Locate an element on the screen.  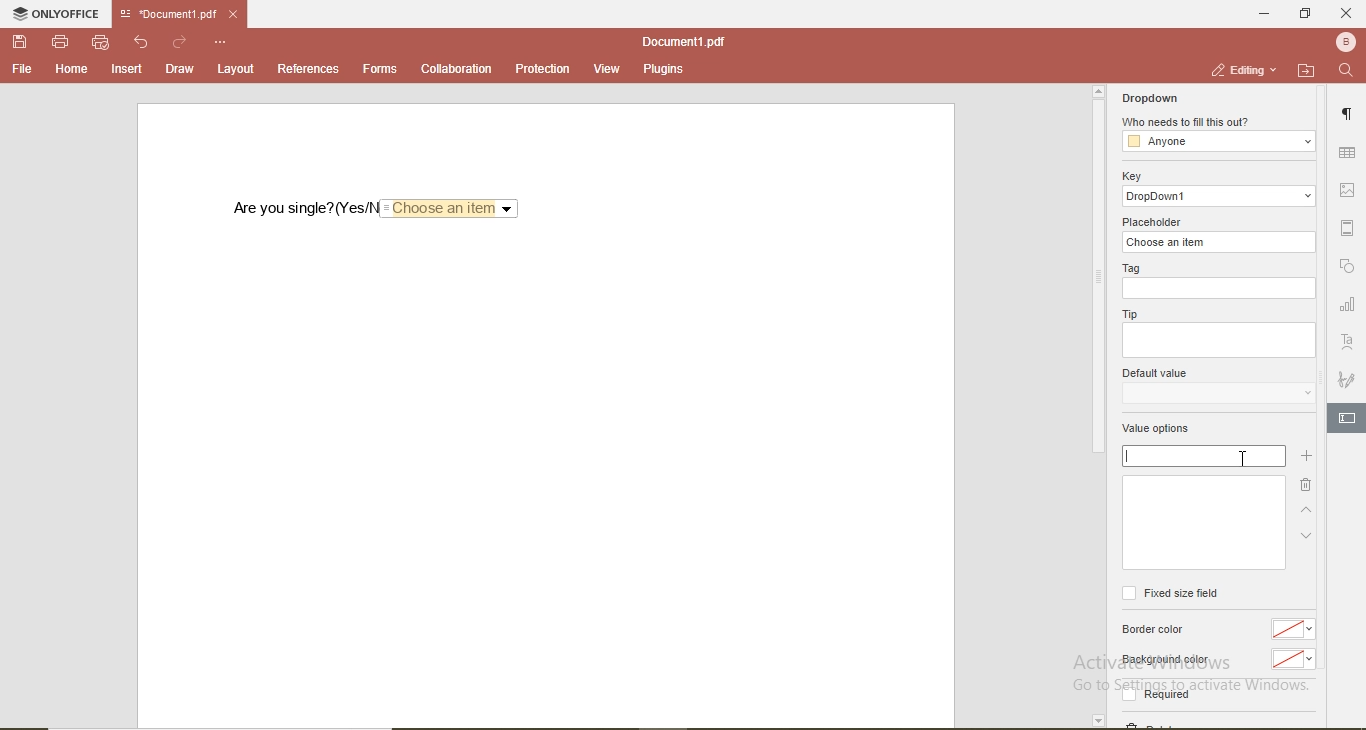
table is located at coordinates (1346, 154).